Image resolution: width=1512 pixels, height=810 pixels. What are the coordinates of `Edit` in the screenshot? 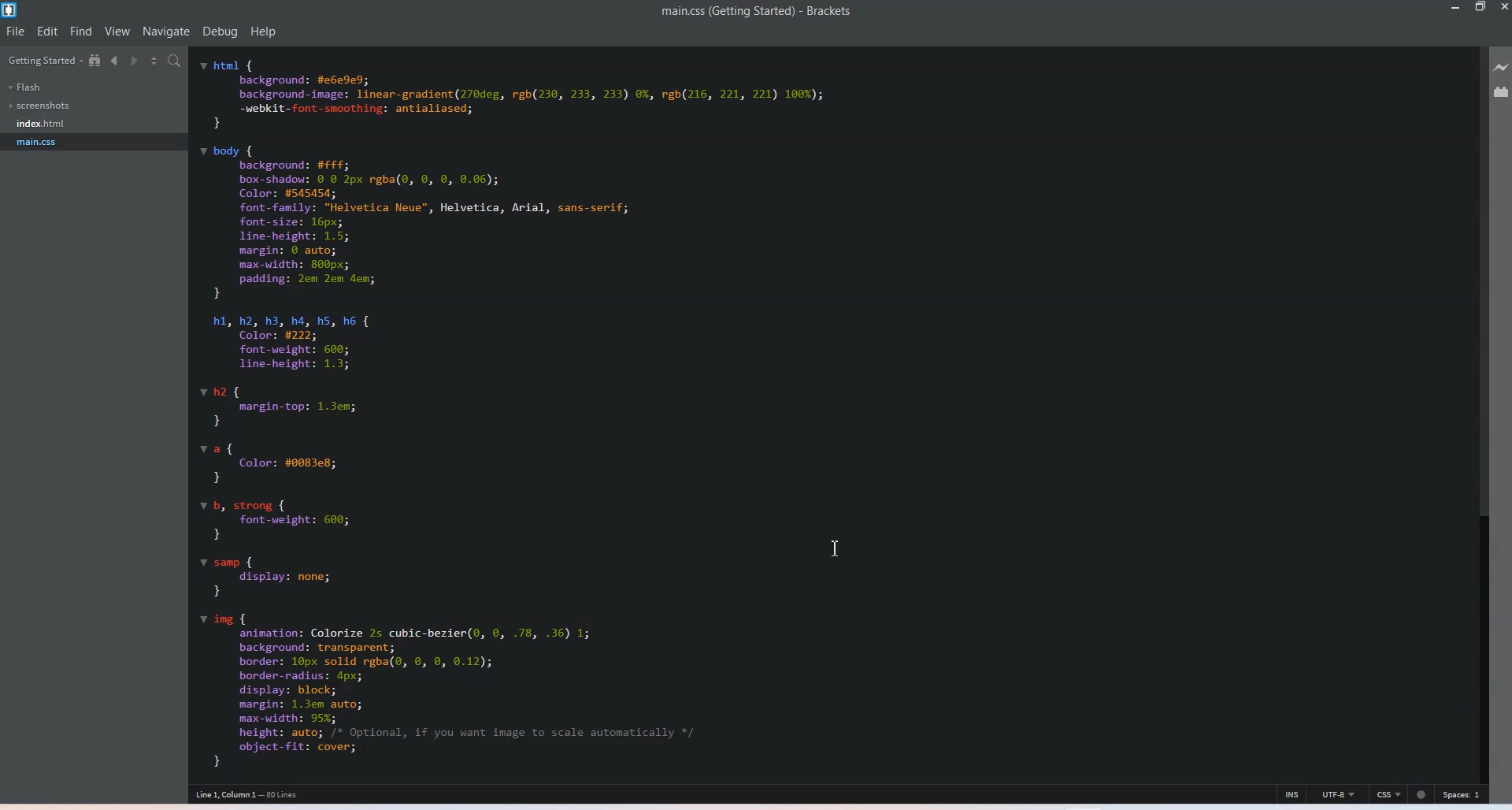 It's located at (49, 31).